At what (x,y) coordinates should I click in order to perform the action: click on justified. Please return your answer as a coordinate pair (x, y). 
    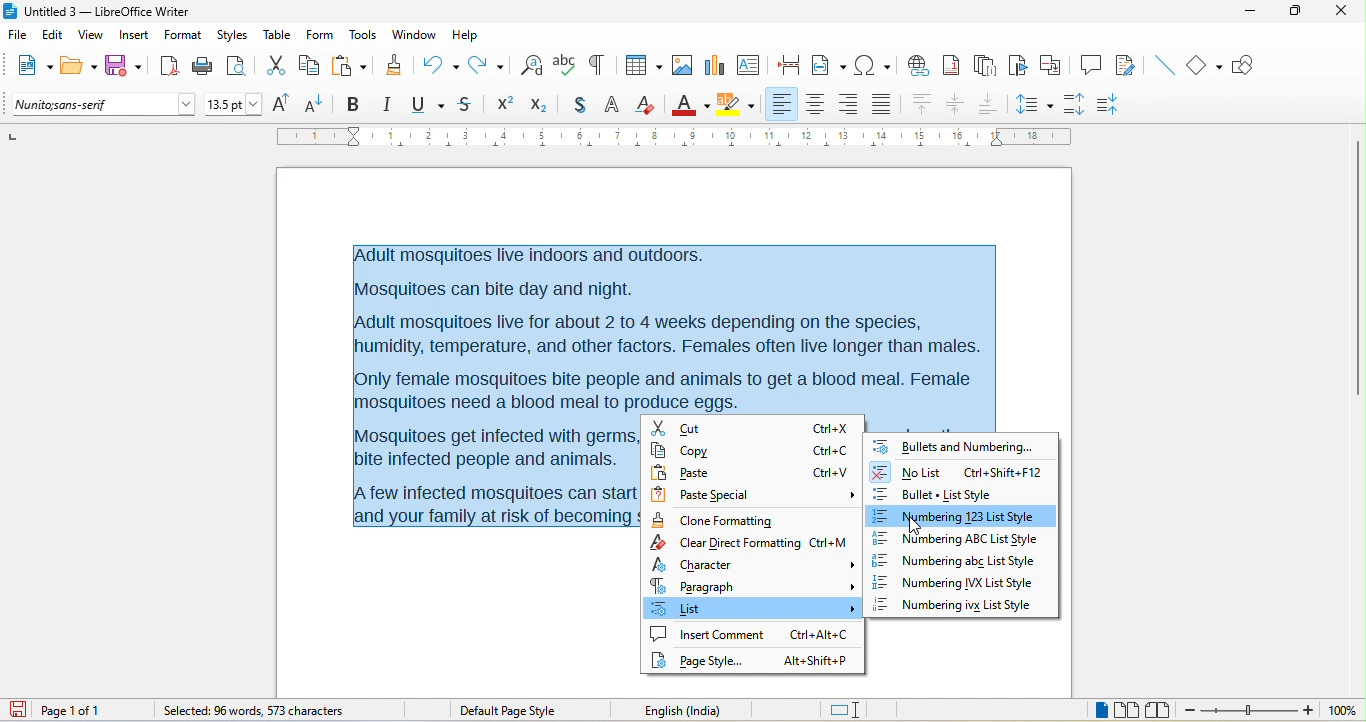
    Looking at the image, I should click on (884, 107).